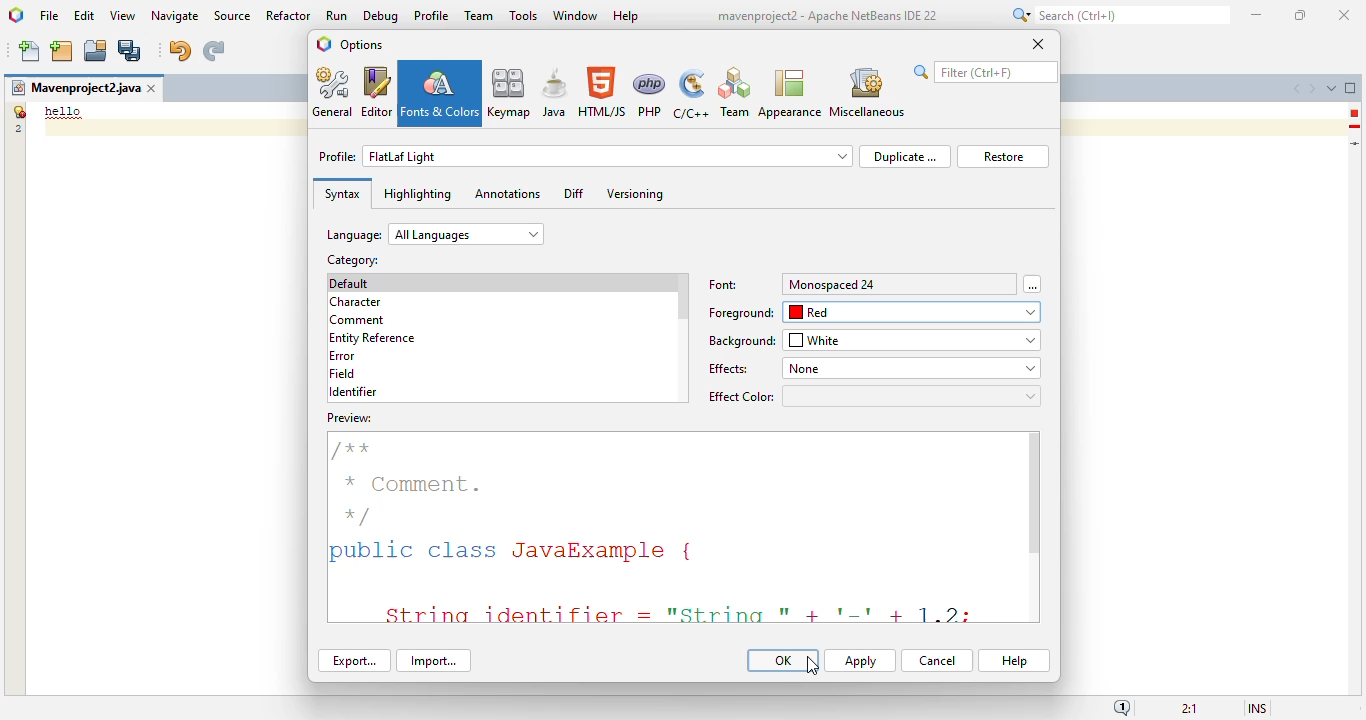 The width and height of the screenshot is (1366, 720). I want to click on title, so click(826, 16).